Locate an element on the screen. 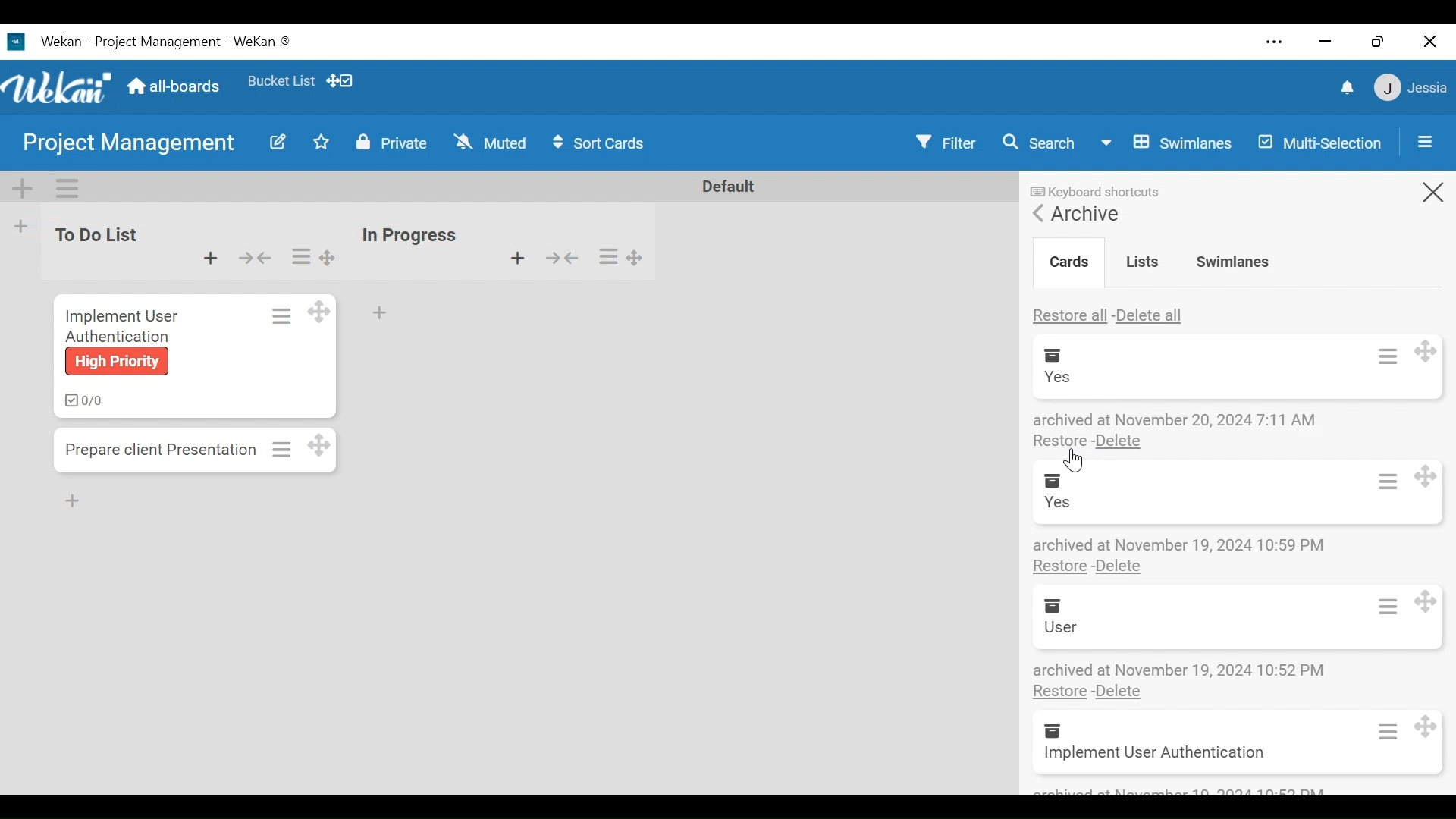 This screenshot has height=819, width=1456. Add Swimlane is located at coordinates (24, 187).